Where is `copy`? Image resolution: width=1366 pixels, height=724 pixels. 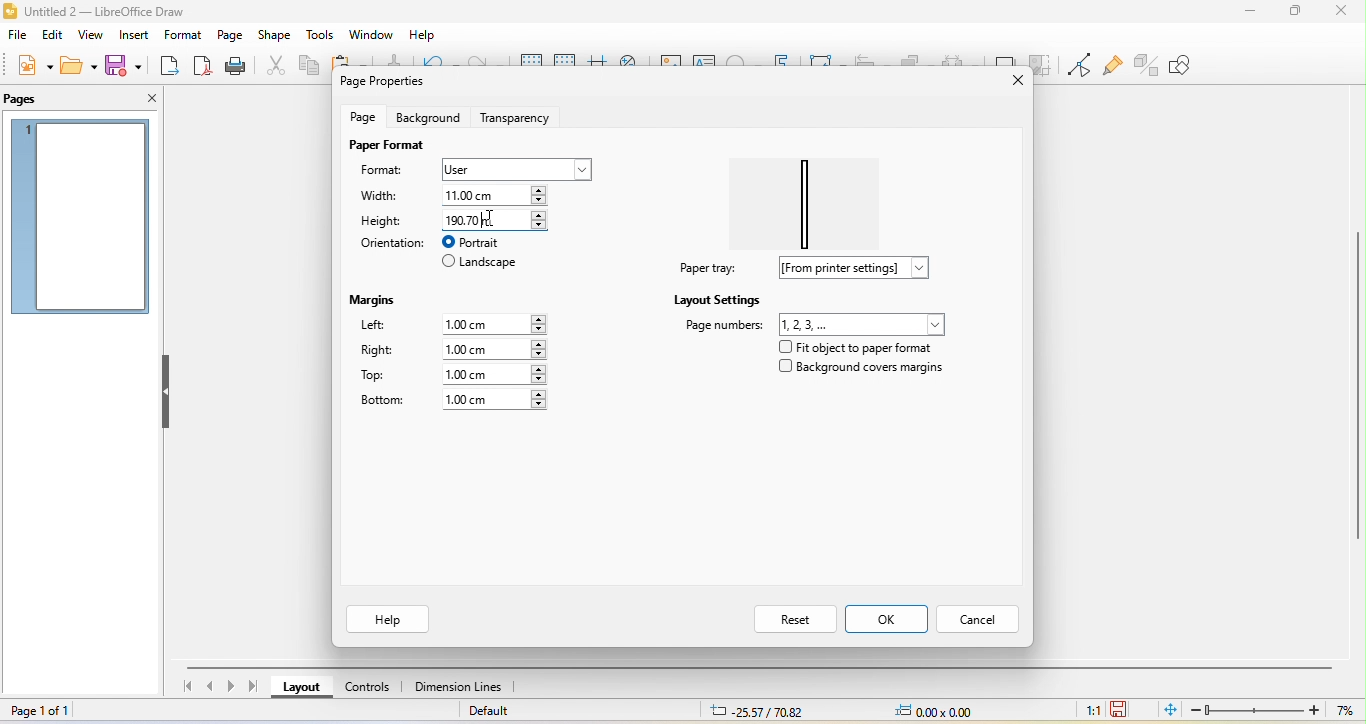 copy is located at coordinates (308, 68).